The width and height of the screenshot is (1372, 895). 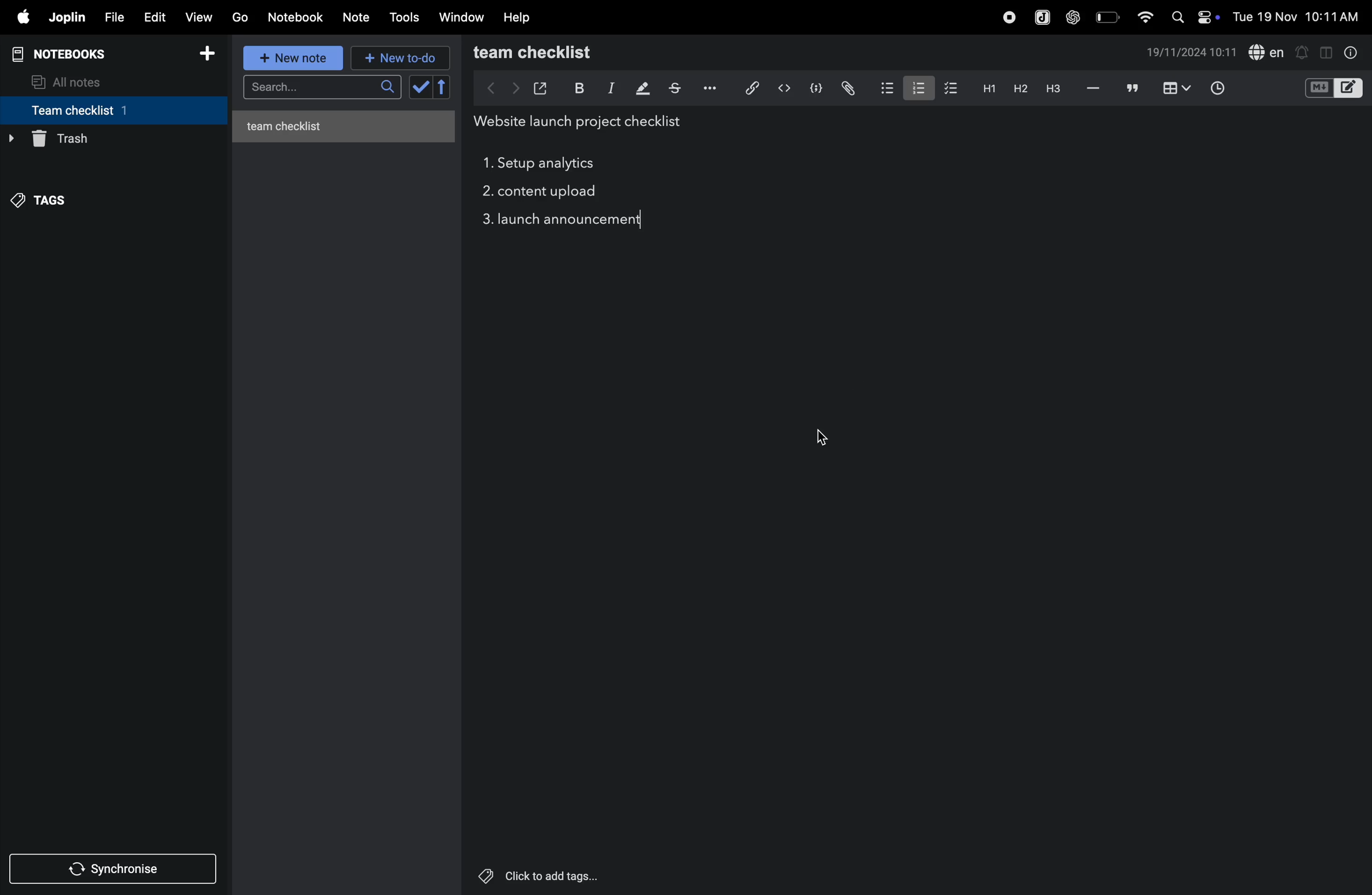 What do you see at coordinates (822, 435) in the screenshot?
I see `cursor` at bounding box center [822, 435].